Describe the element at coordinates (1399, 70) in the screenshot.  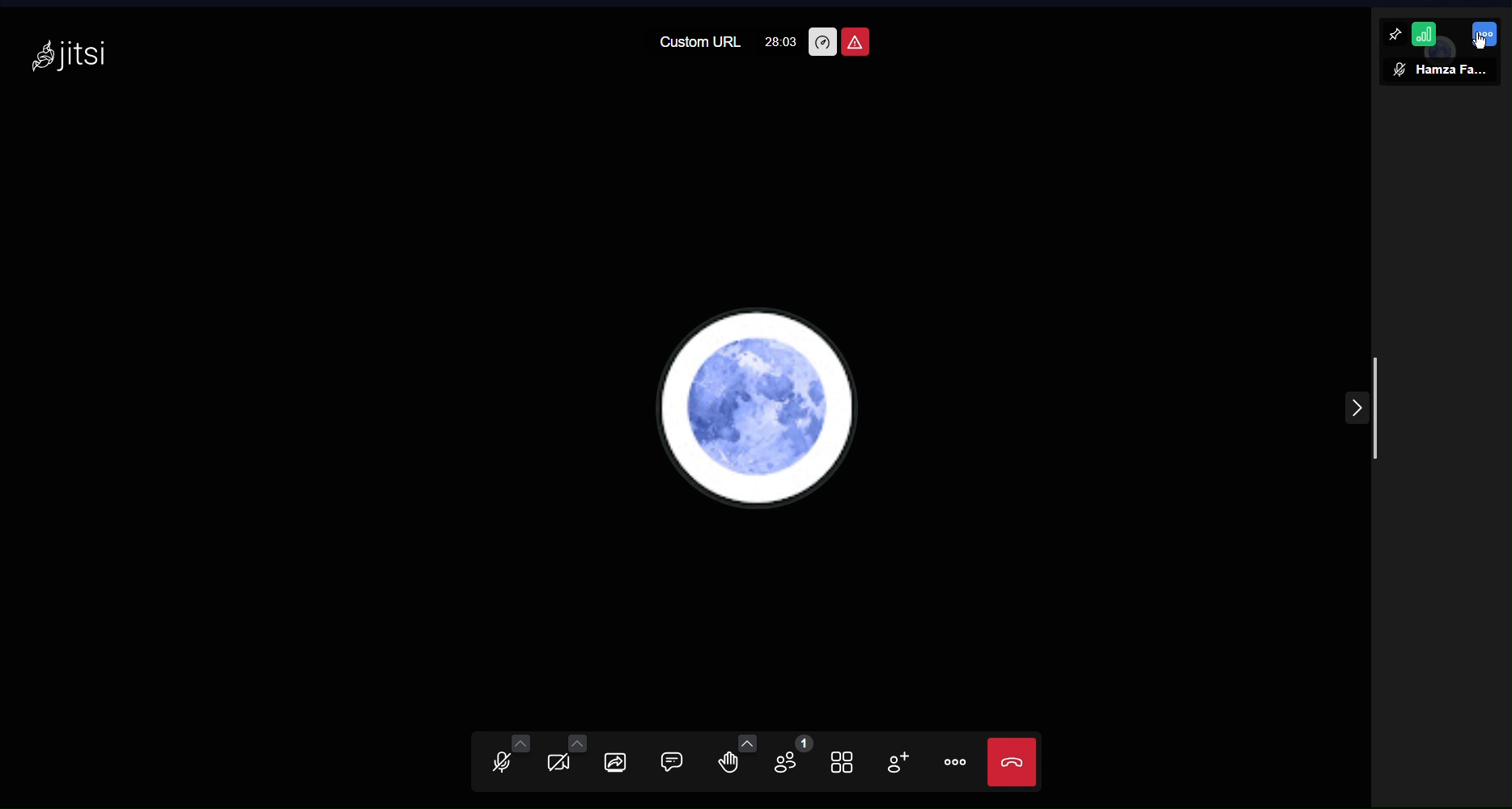
I see `microphone` at that location.